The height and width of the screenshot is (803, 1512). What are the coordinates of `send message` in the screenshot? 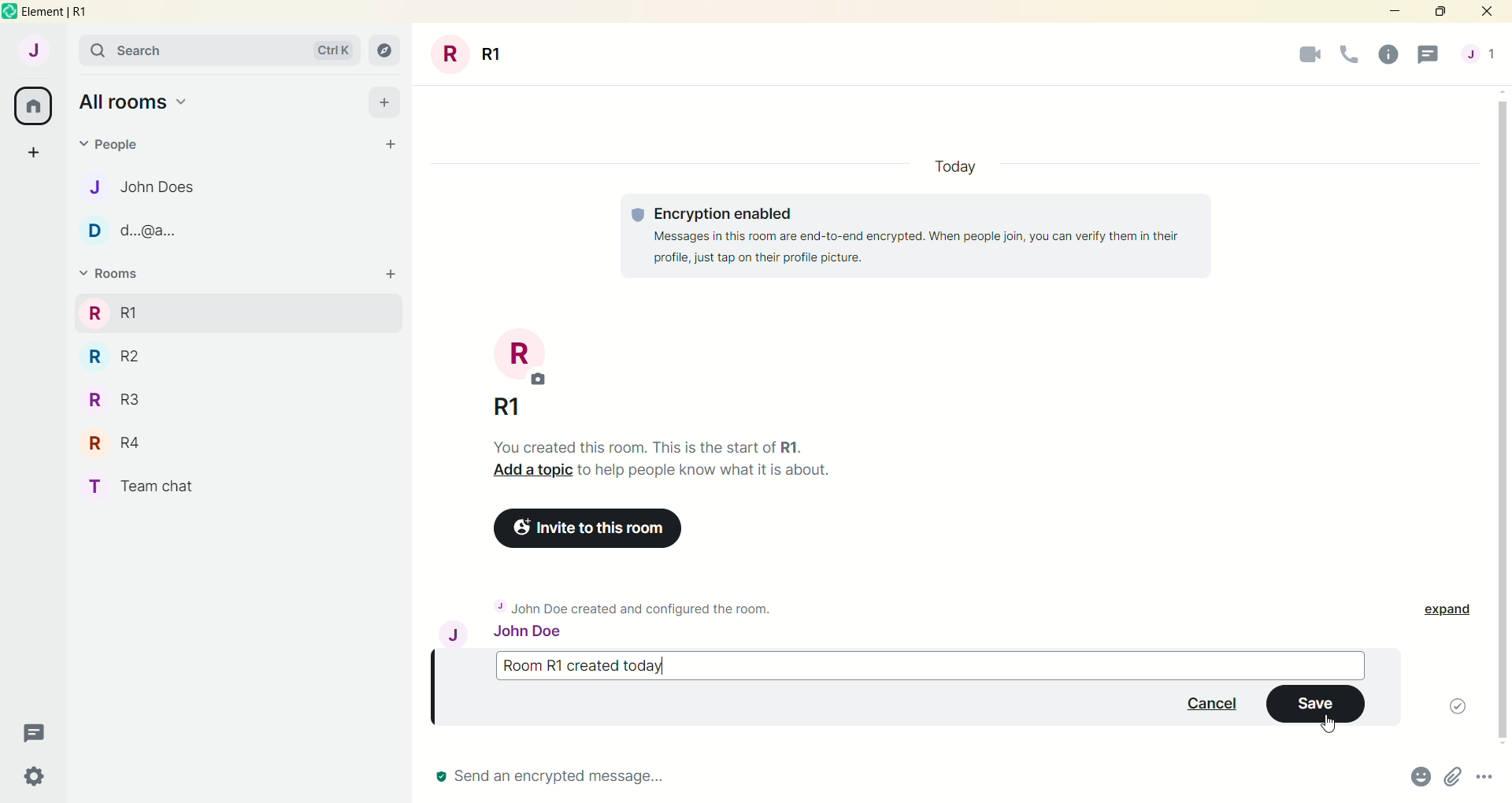 It's located at (569, 779).